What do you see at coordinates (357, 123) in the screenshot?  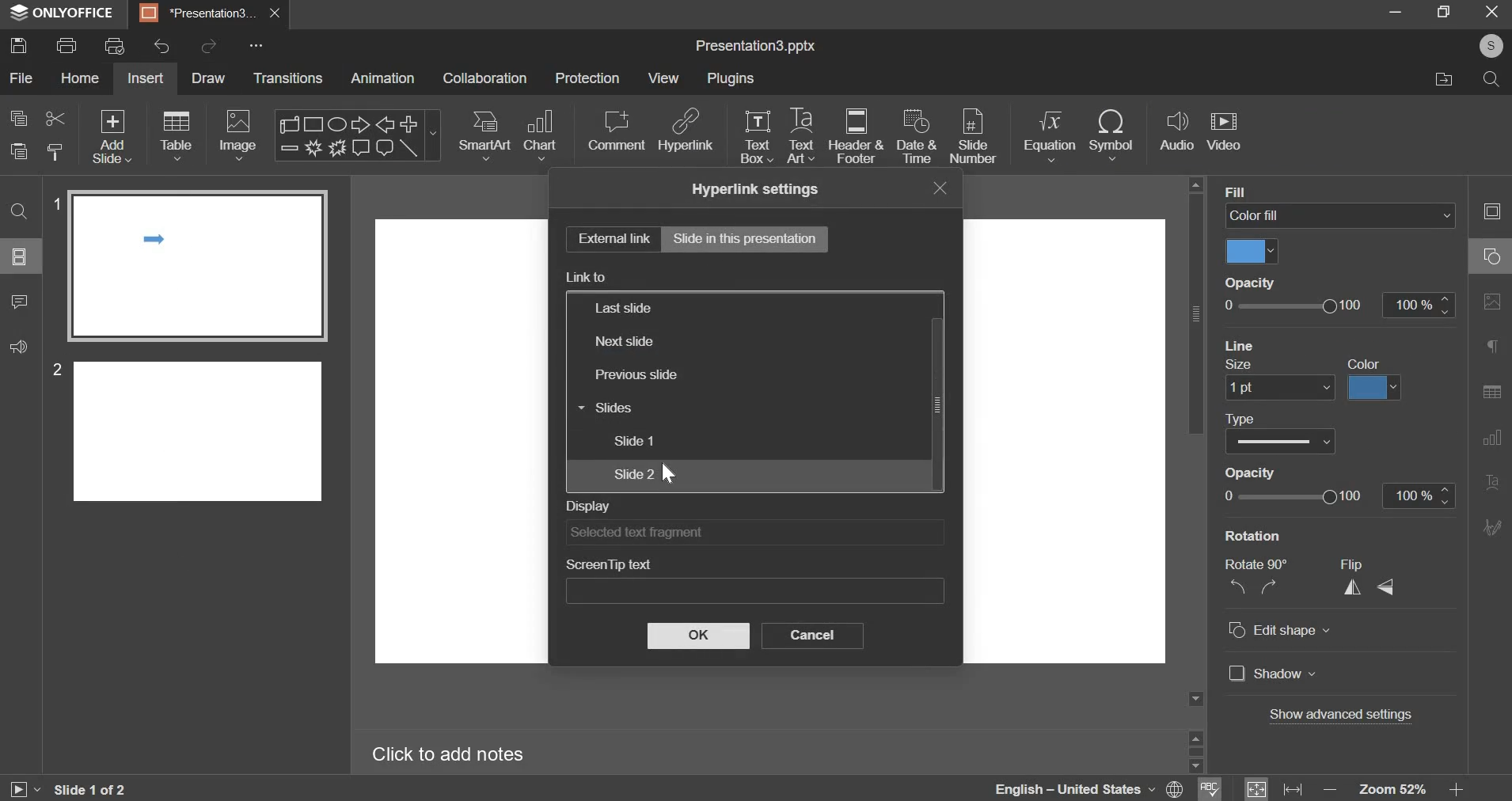 I see `right arrow` at bounding box center [357, 123].